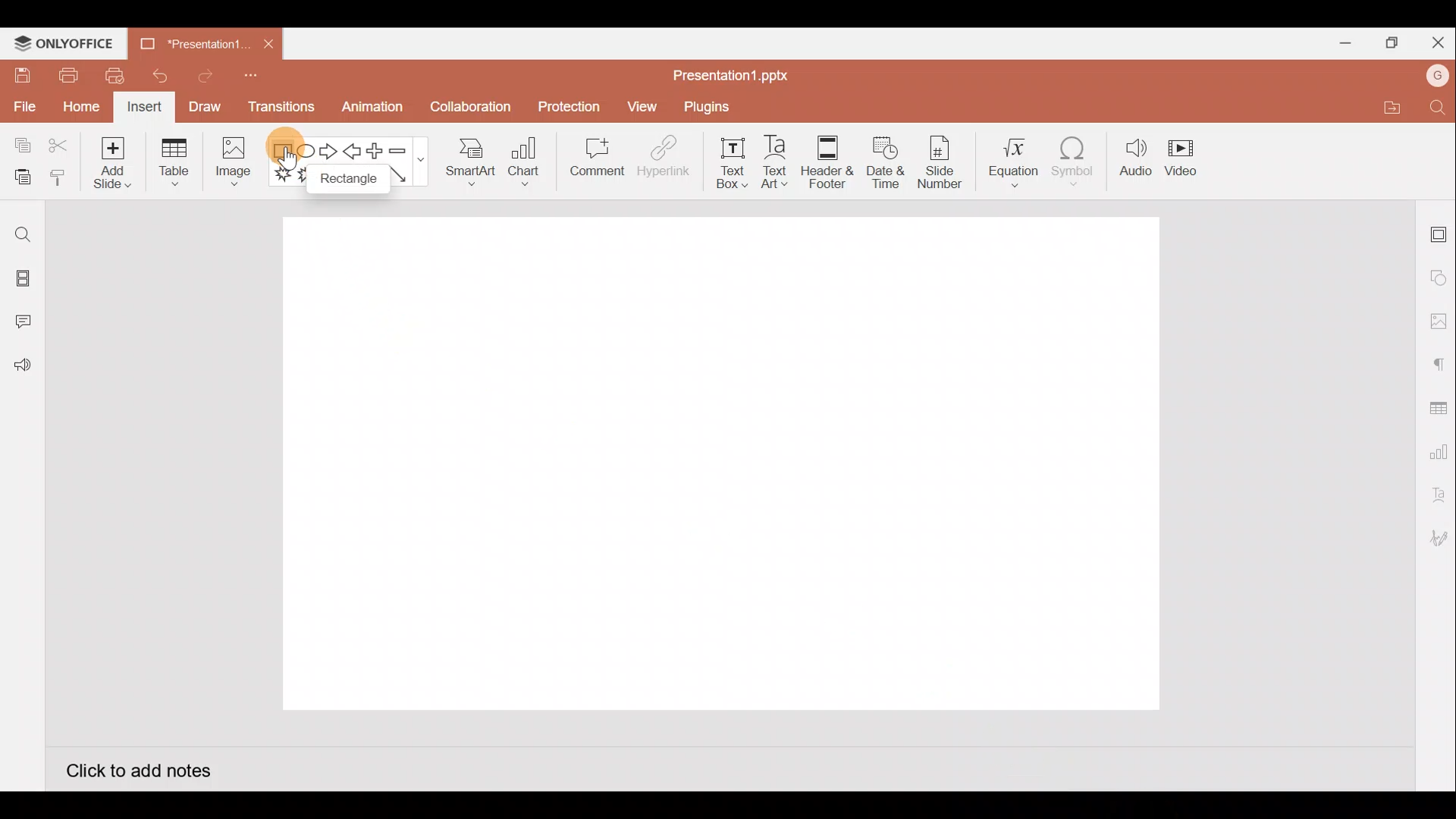 This screenshot has width=1456, height=819. What do you see at coordinates (1436, 540) in the screenshot?
I see `Signature settings` at bounding box center [1436, 540].